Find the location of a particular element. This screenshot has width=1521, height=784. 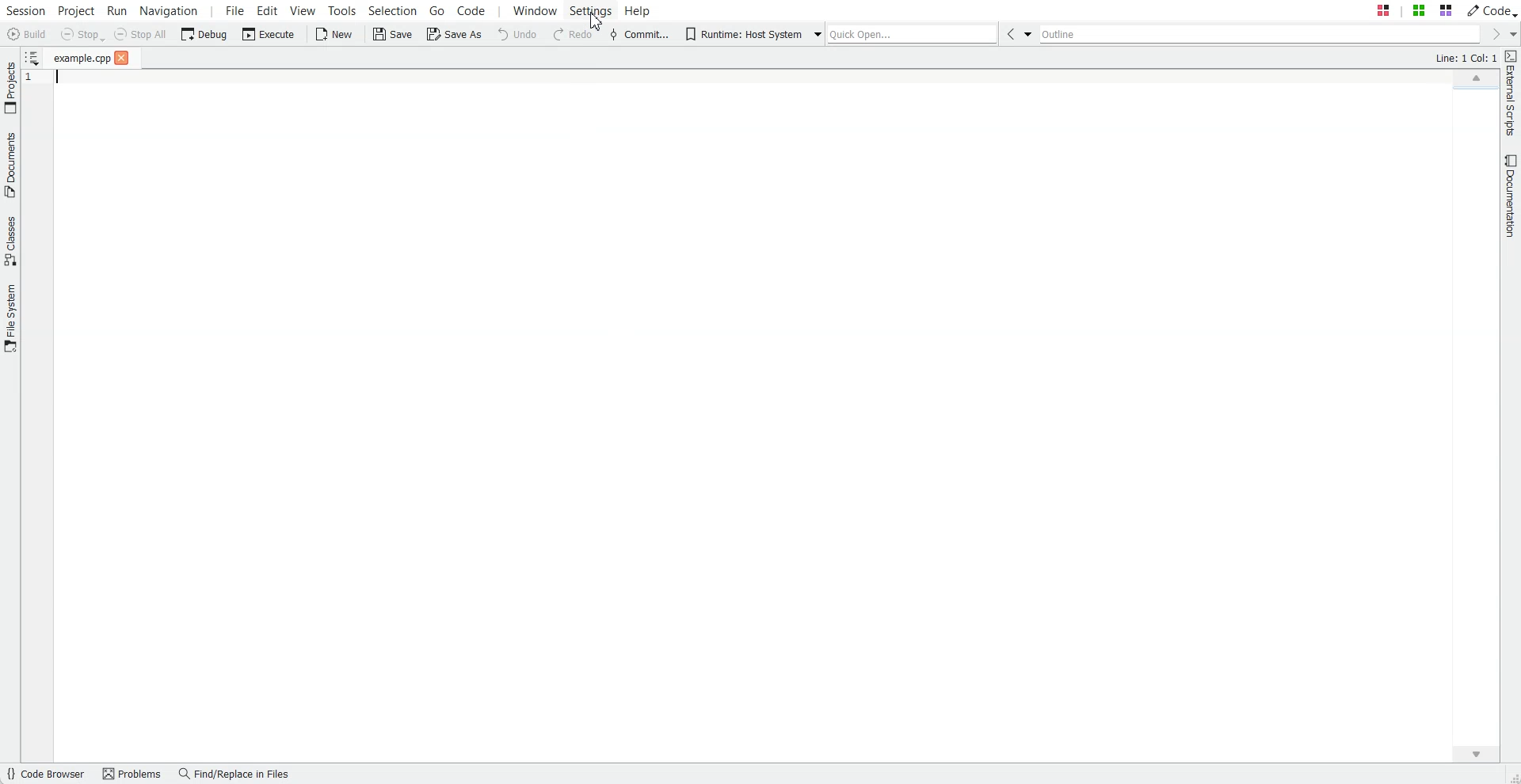

New is located at coordinates (336, 35).